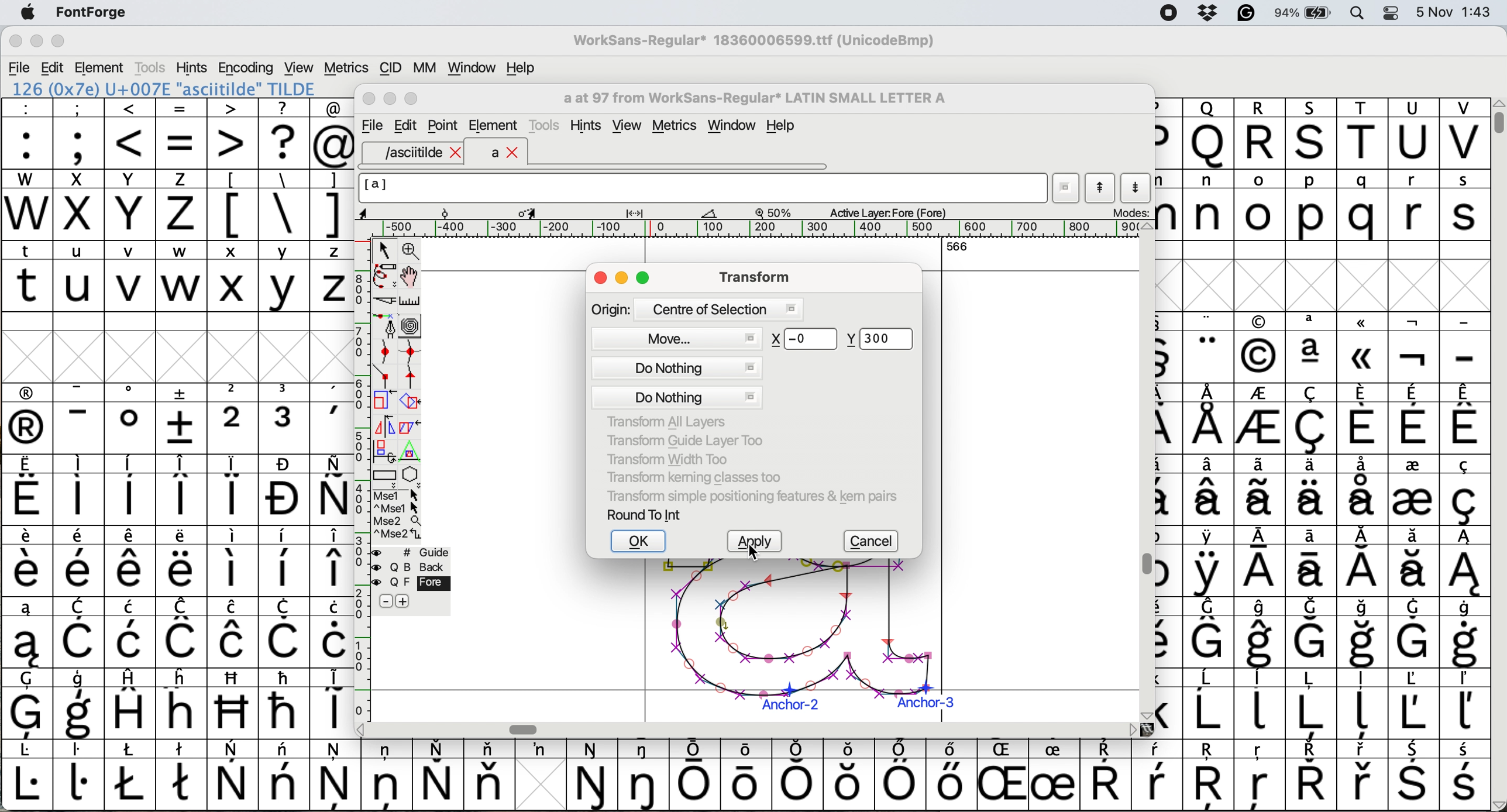 The width and height of the screenshot is (1507, 812). What do you see at coordinates (1259, 348) in the screenshot?
I see `` at bounding box center [1259, 348].